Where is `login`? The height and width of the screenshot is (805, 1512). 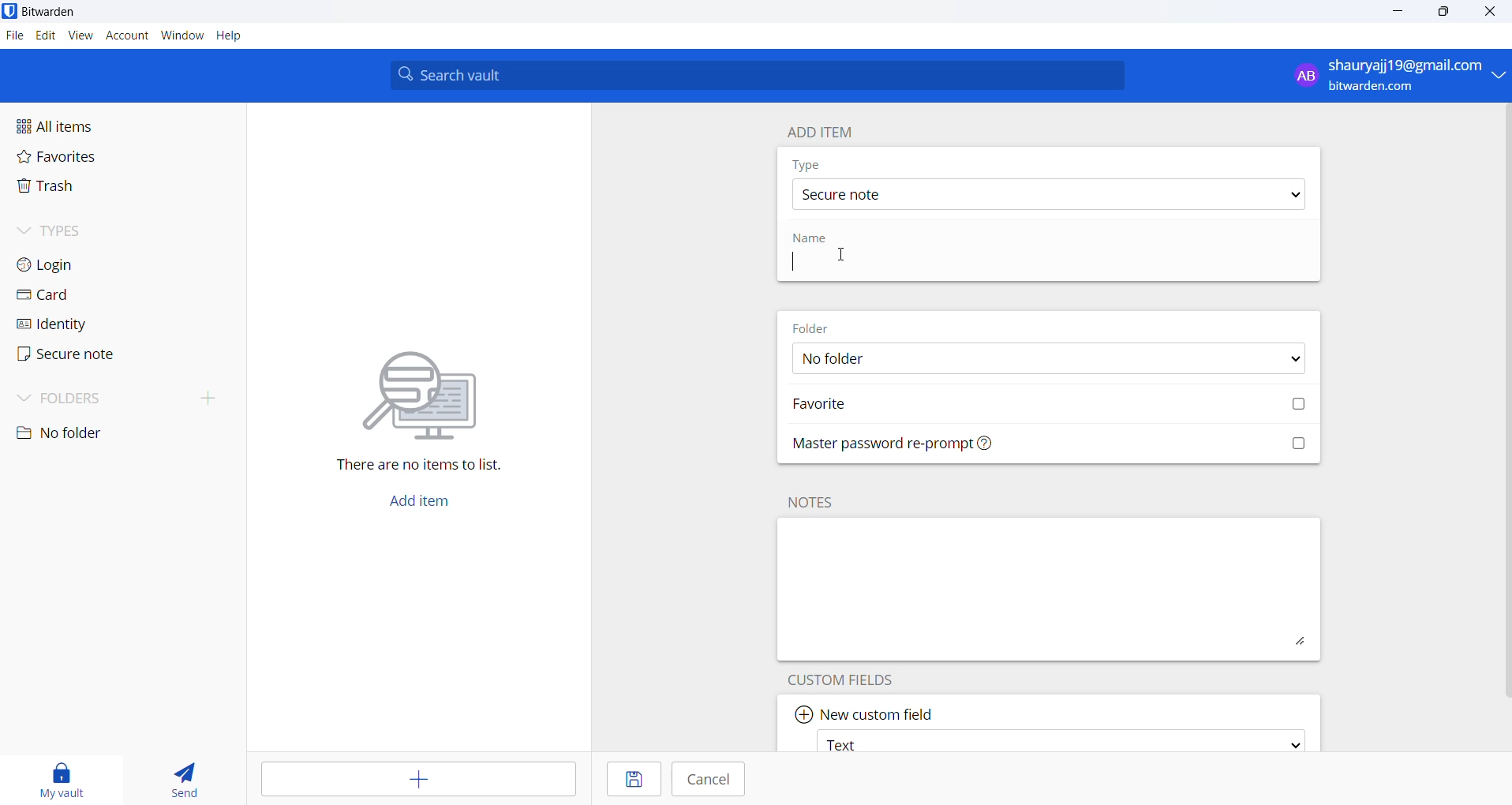
login is located at coordinates (80, 263).